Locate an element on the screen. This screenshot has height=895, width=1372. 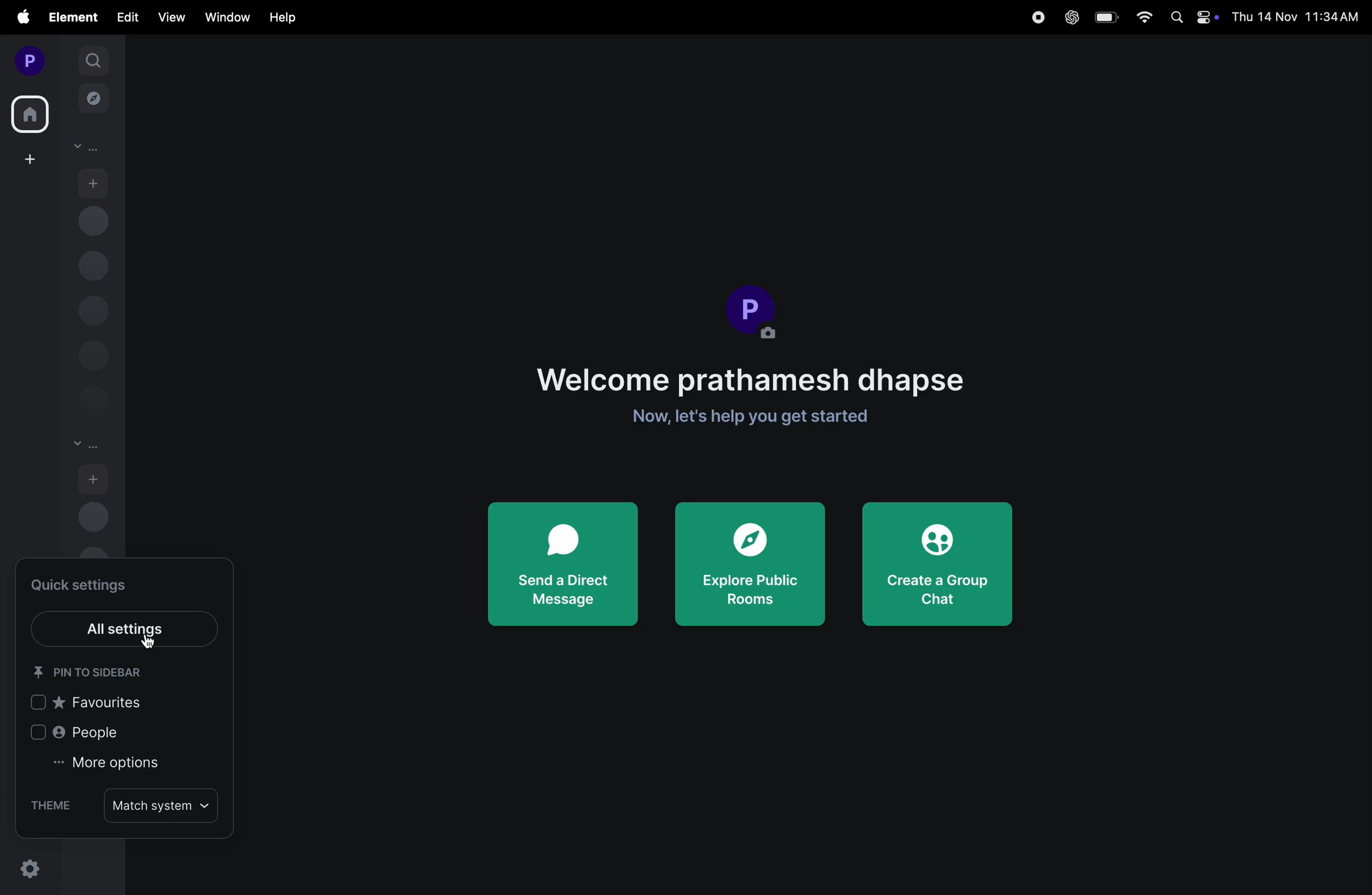
add is located at coordinates (94, 479).